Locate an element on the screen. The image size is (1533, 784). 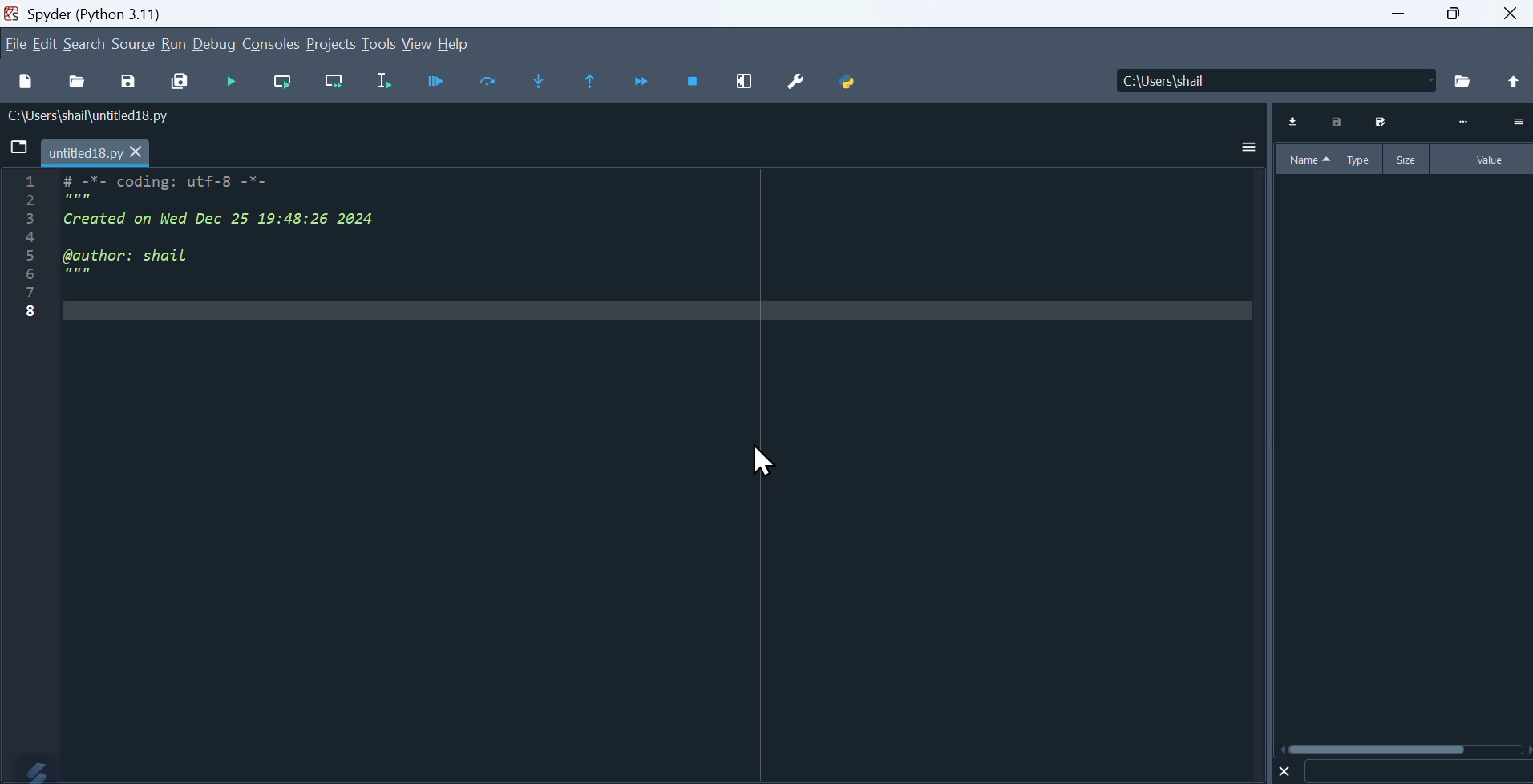
Python path manager is located at coordinates (847, 83).